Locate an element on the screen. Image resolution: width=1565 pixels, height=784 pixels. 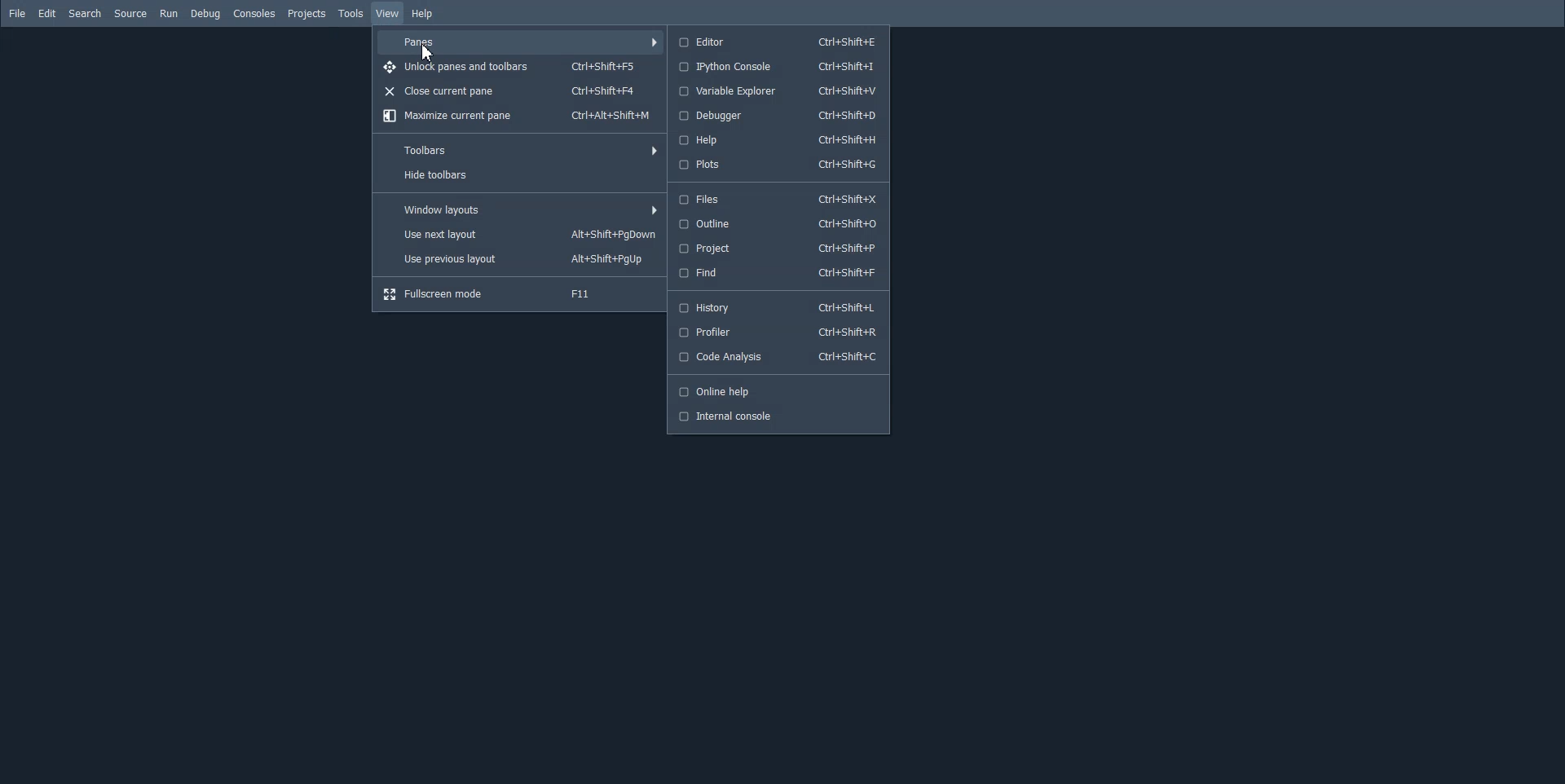
Source is located at coordinates (130, 14).